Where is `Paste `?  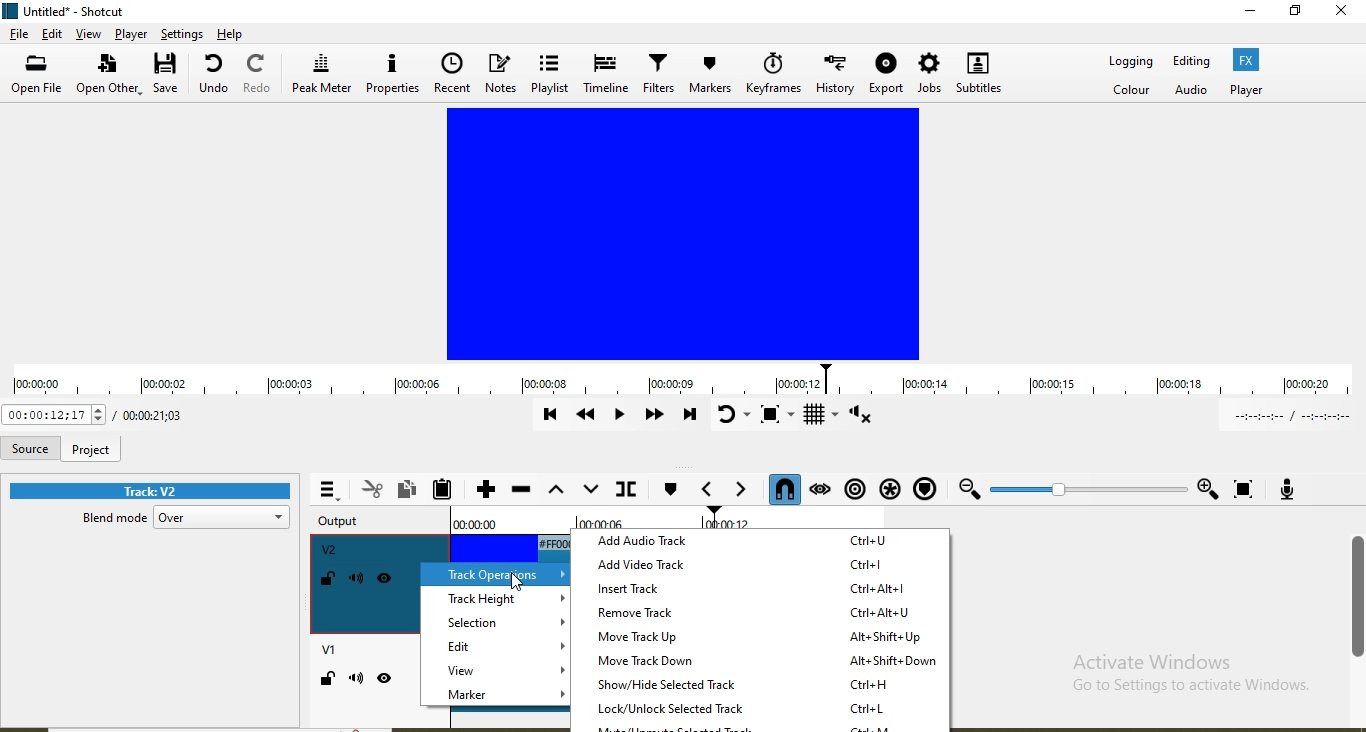 Paste  is located at coordinates (443, 488).